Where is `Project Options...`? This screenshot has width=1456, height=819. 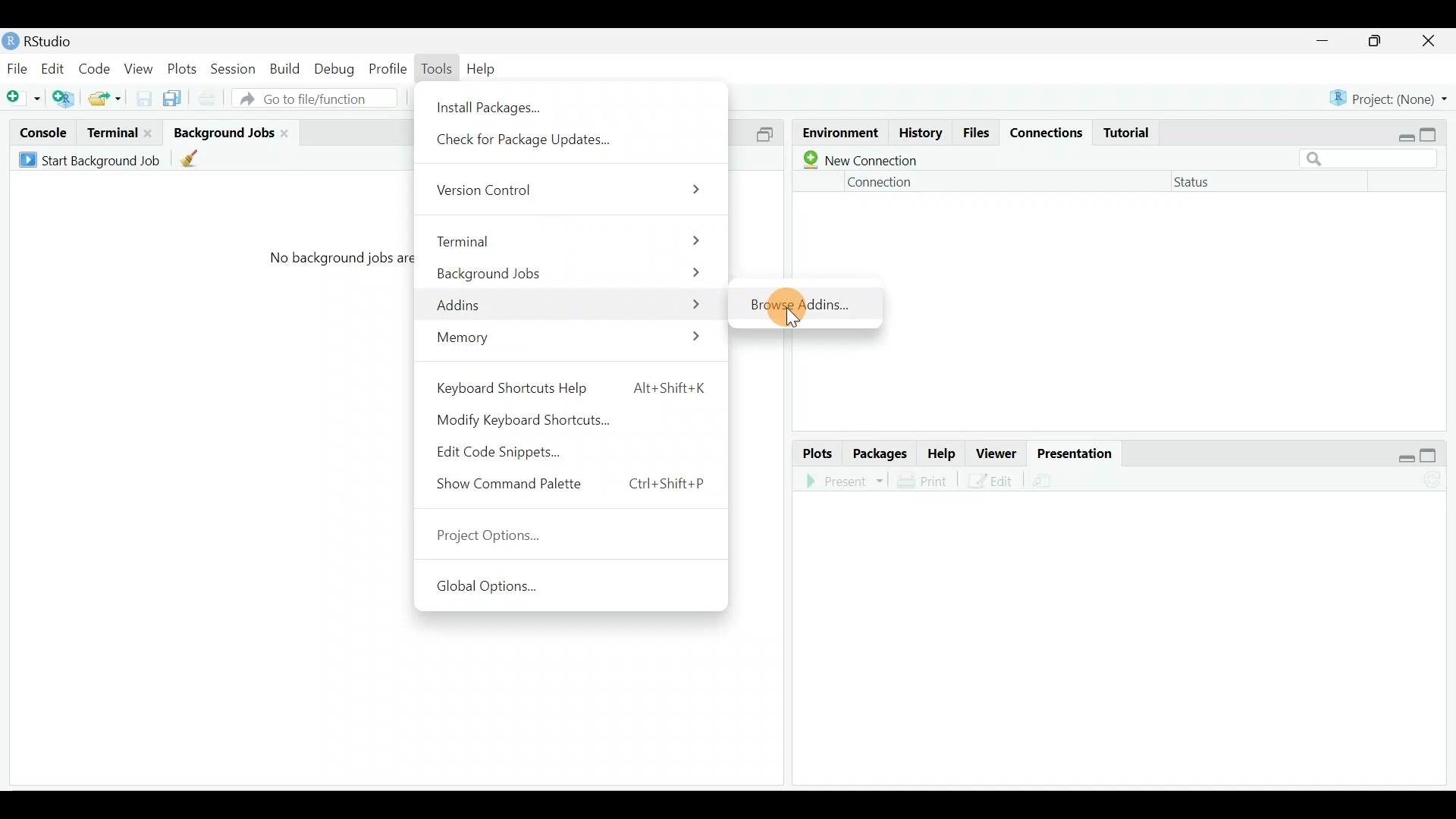
Project Options... is located at coordinates (495, 538).